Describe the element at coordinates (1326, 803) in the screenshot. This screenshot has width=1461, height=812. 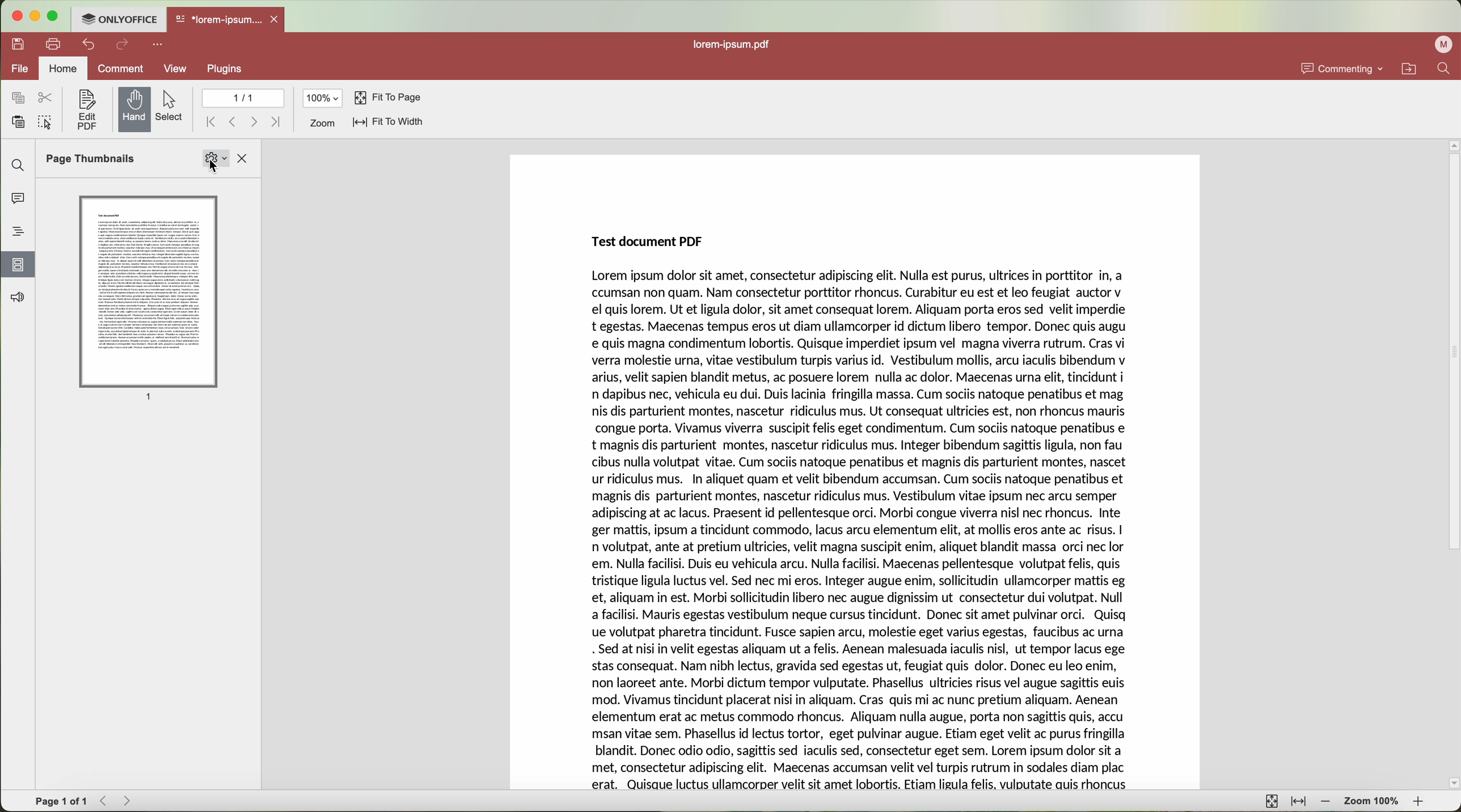
I see `zoom out` at that location.